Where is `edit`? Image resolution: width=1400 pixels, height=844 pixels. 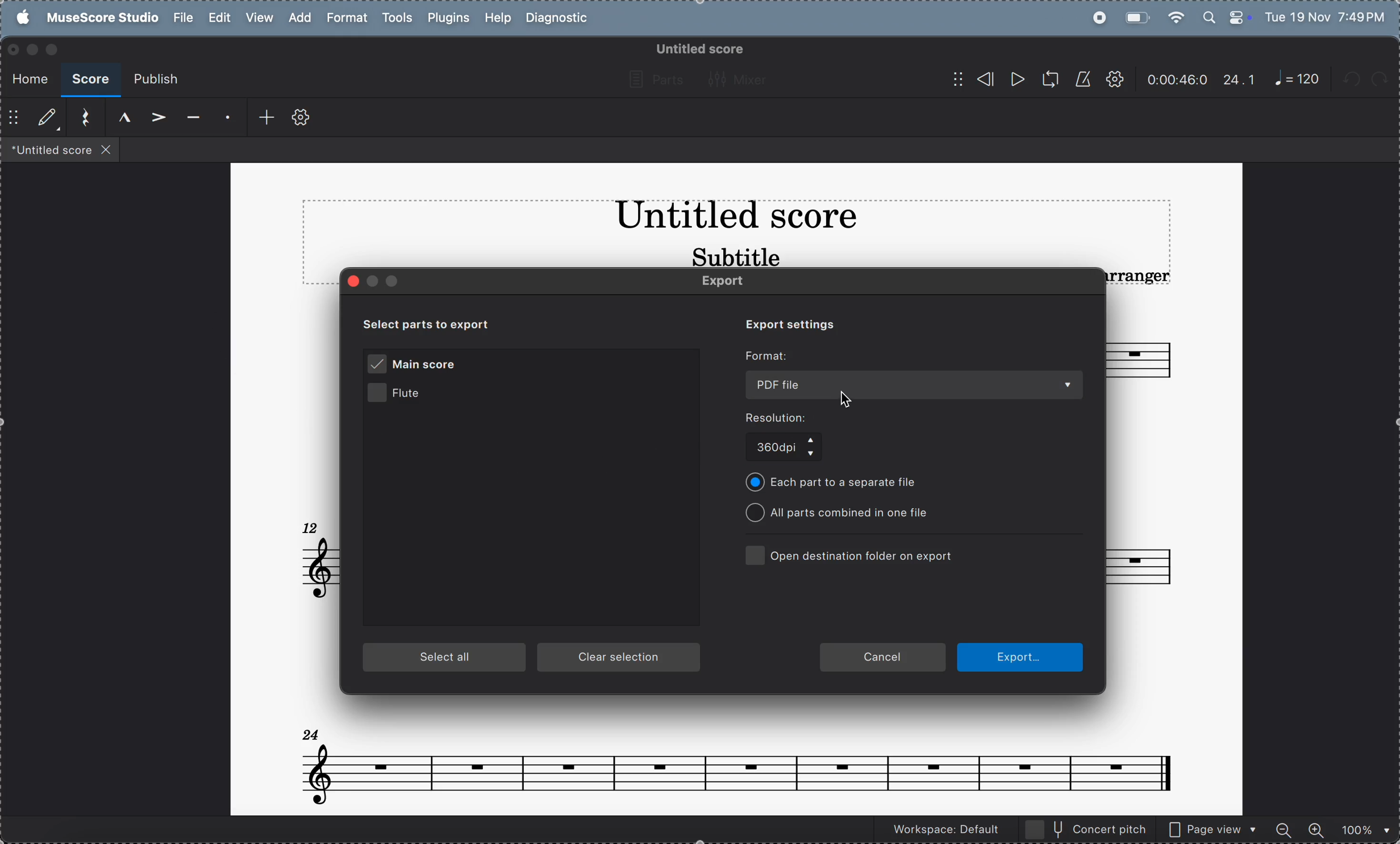 edit is located at coordinates (220, 18).